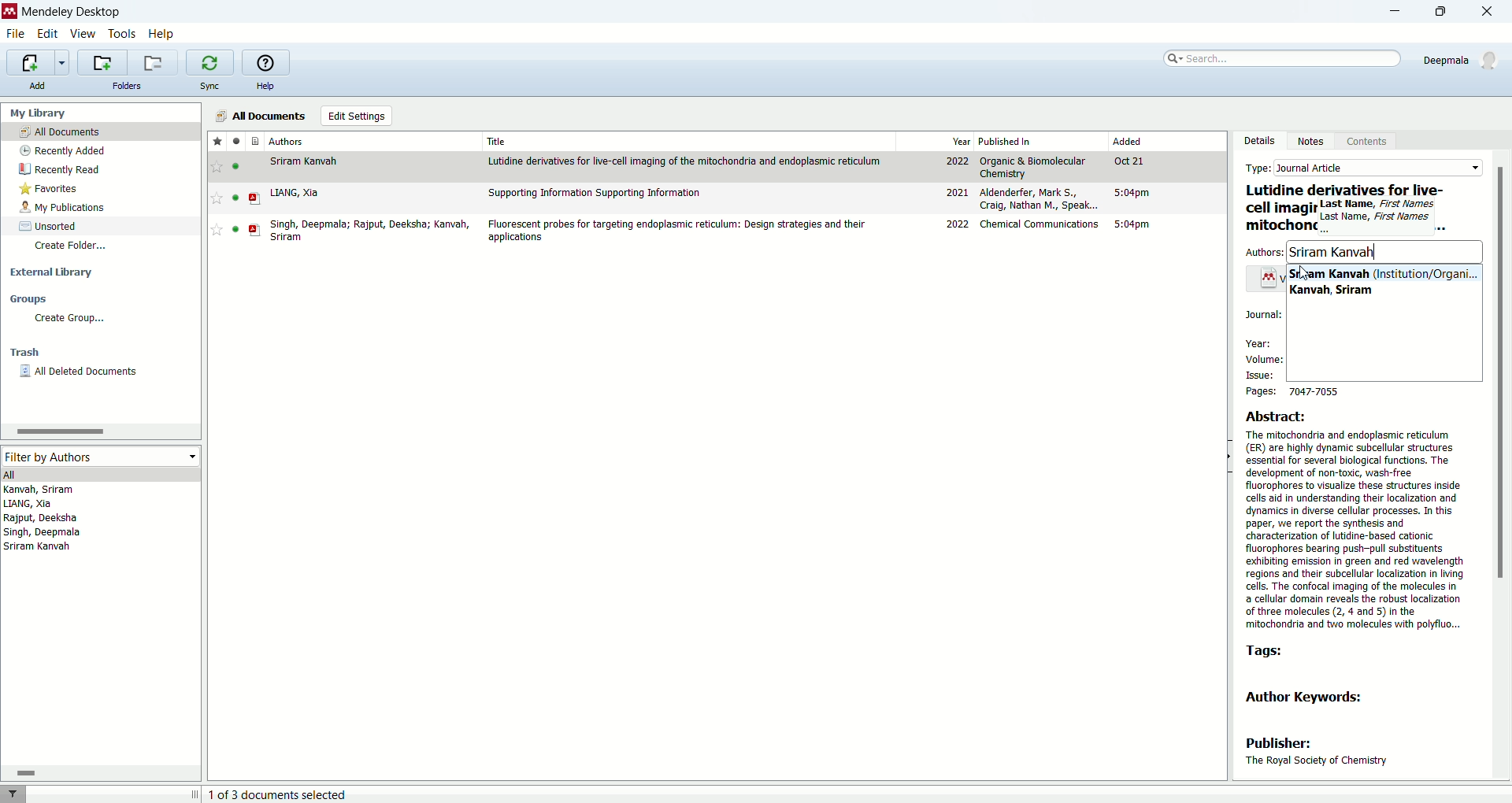  I want to click on read/unread, so click(236, 142).